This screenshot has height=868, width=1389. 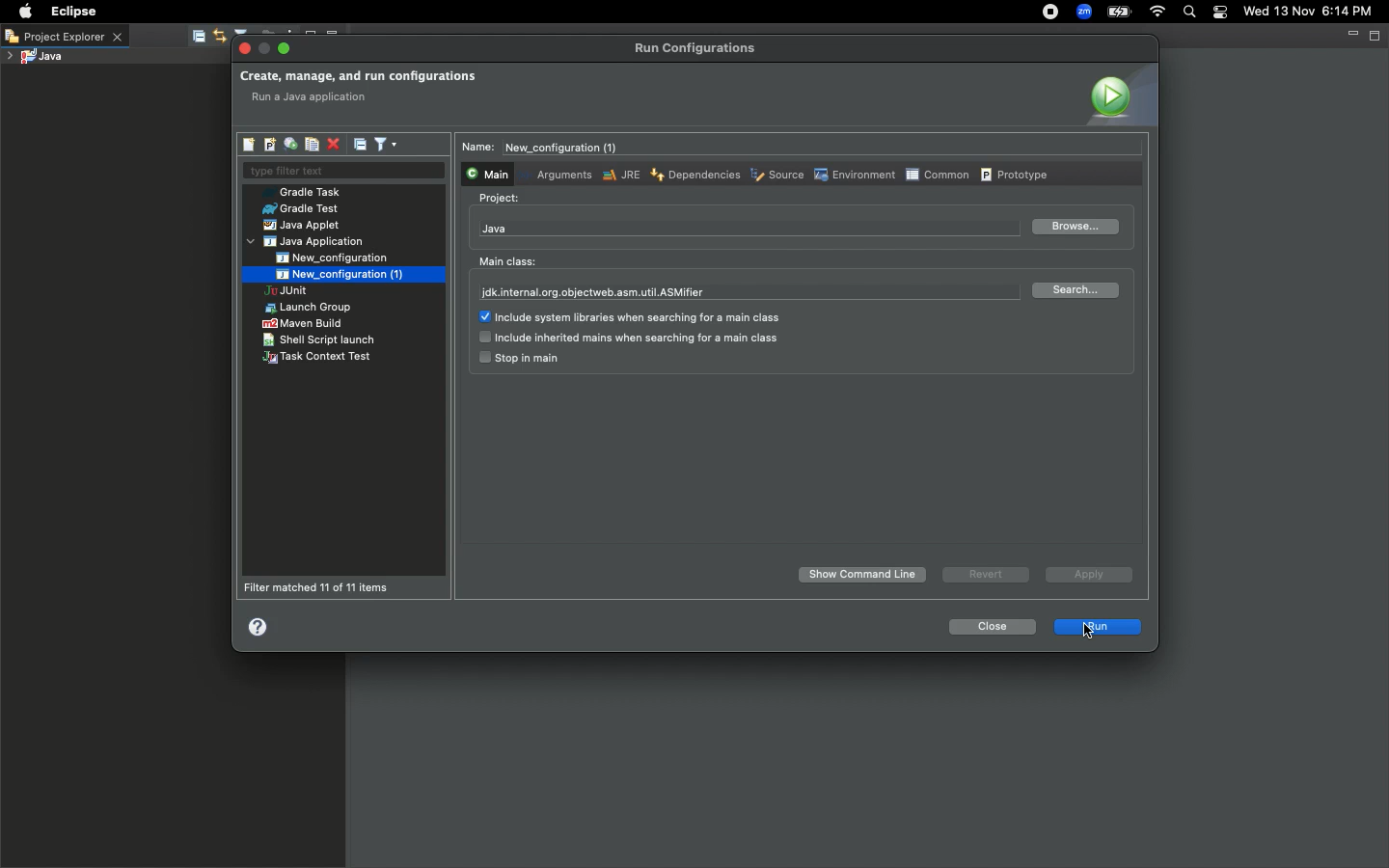 I want to click on New_configuration (1), so click(x=337, y=274).